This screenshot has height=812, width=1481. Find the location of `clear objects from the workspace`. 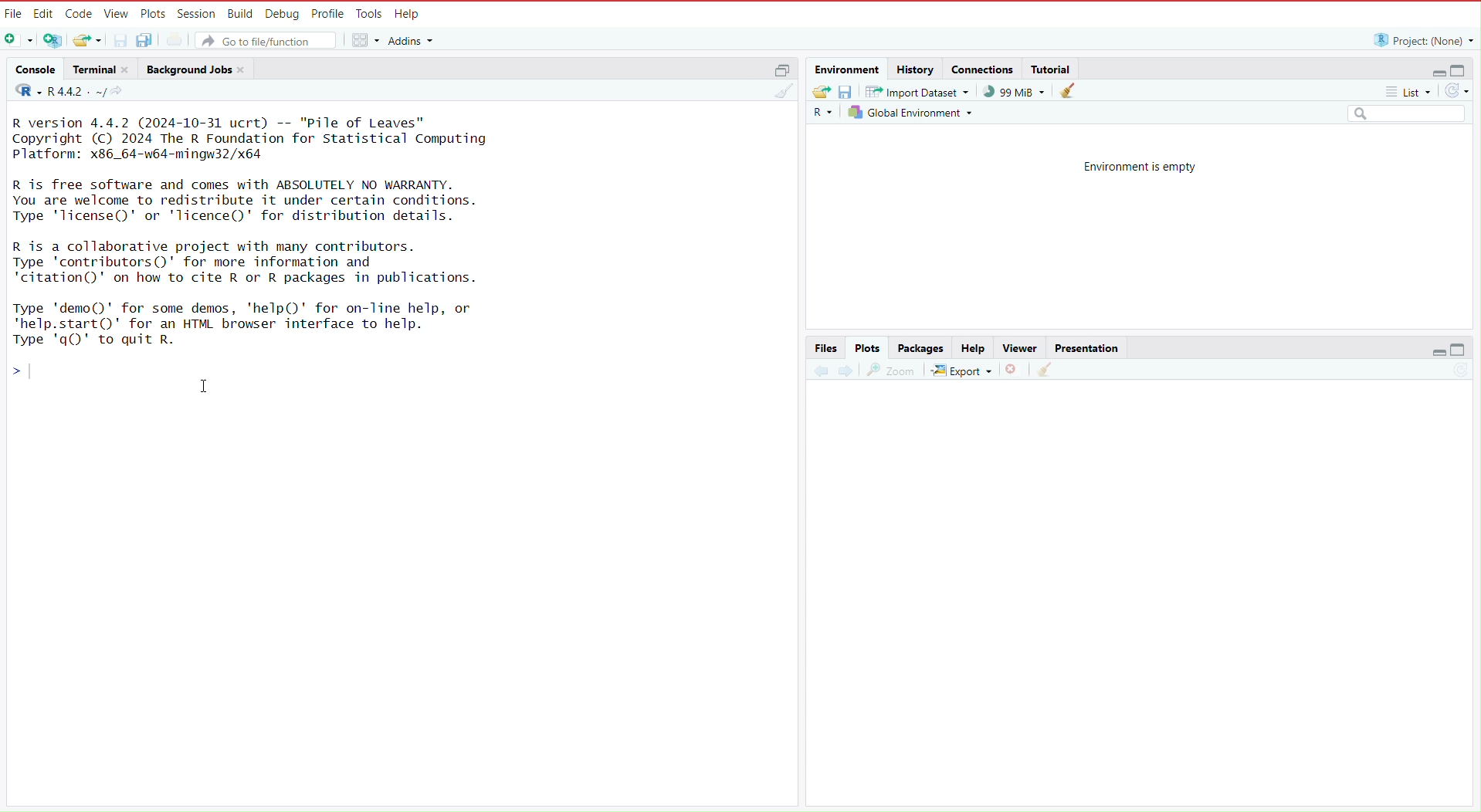

clear objects from the workspace is located at coordinates (1068, 90).